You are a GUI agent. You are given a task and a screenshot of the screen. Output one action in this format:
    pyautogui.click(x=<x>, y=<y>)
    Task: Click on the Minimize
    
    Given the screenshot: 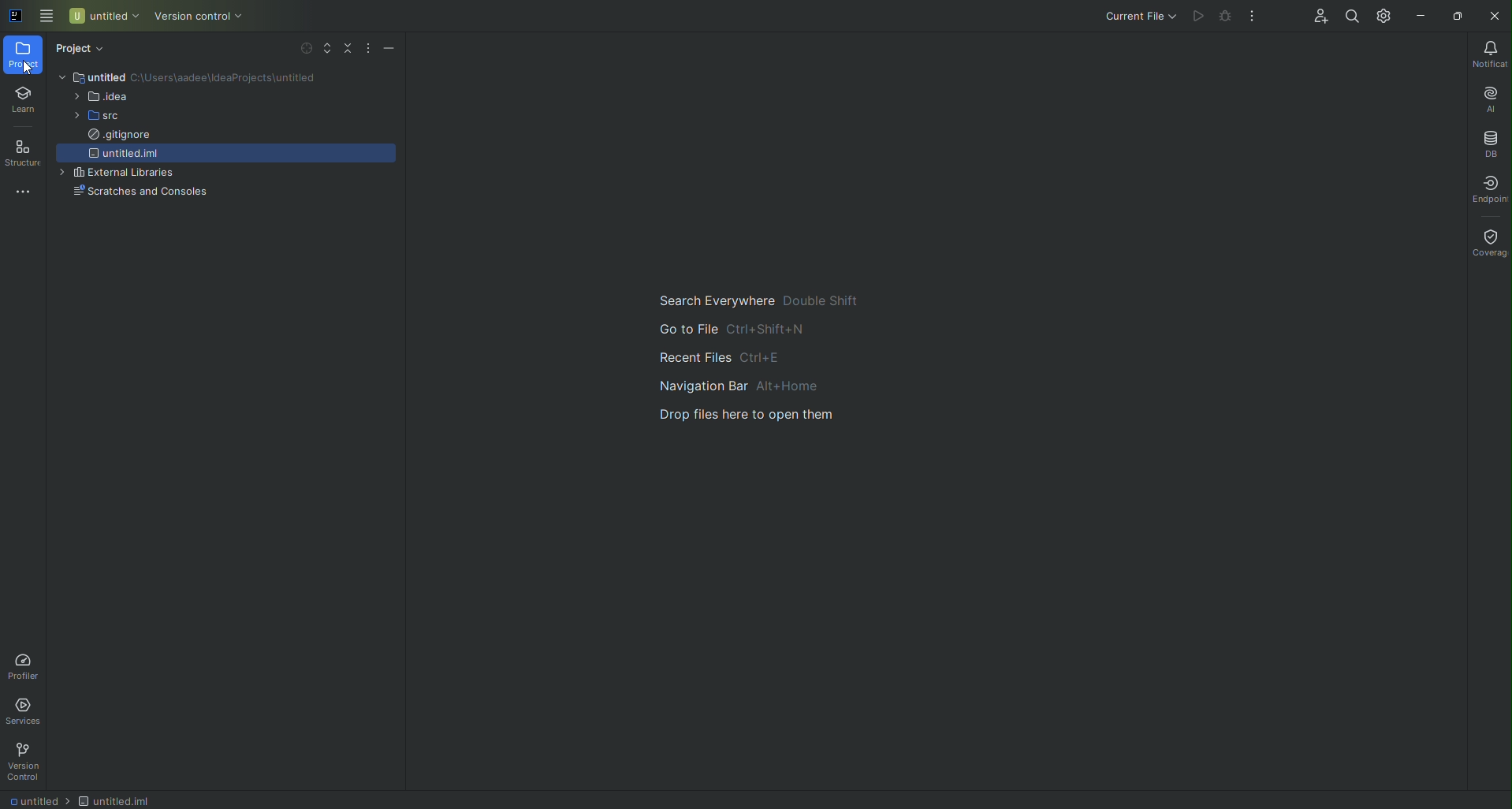 What is the action you would take?
    pyautogui.click(x=1418, y=15)
    